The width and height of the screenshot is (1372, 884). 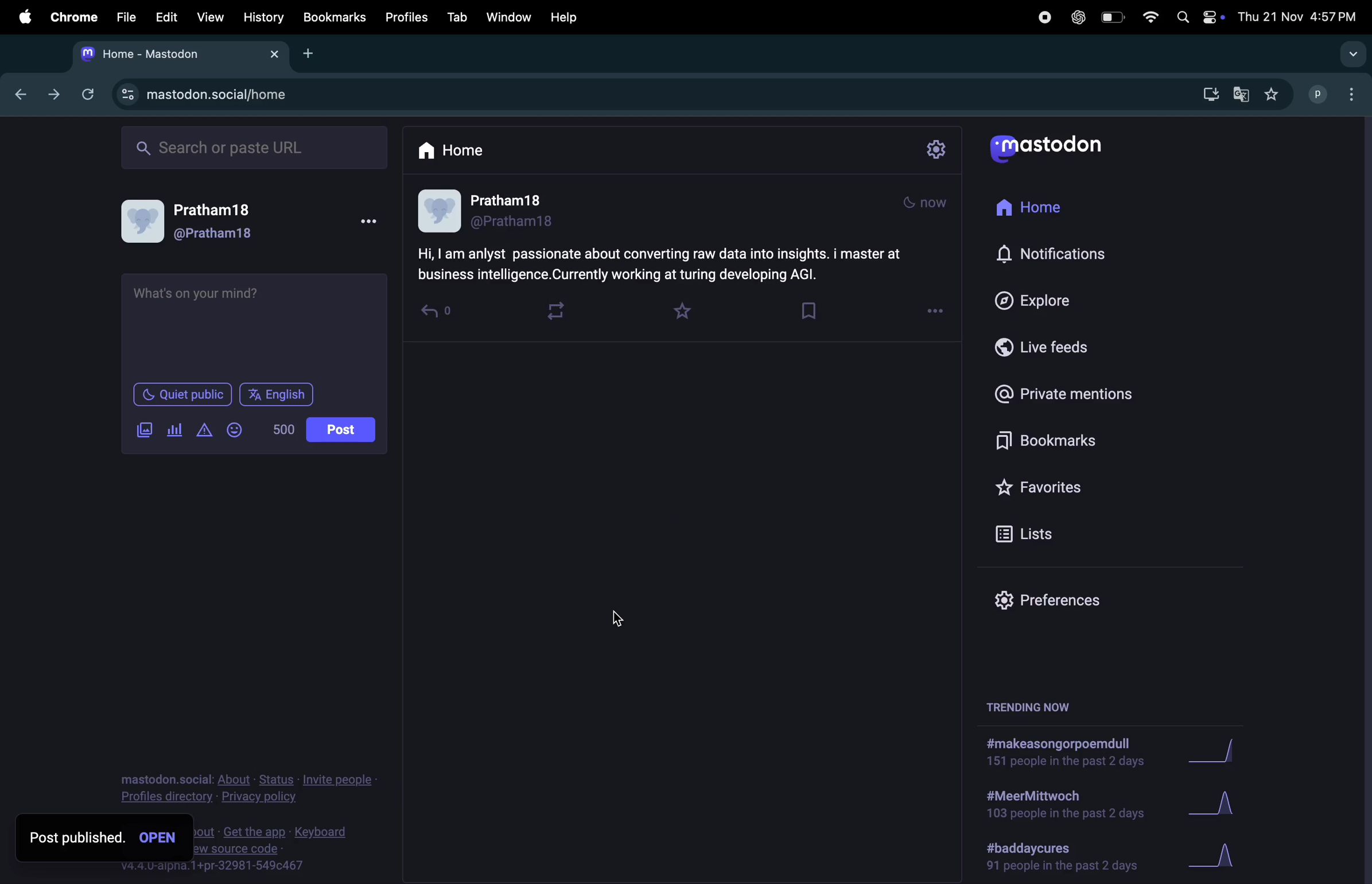 I want to click on mastodon site url, so click(x=238, y=96).